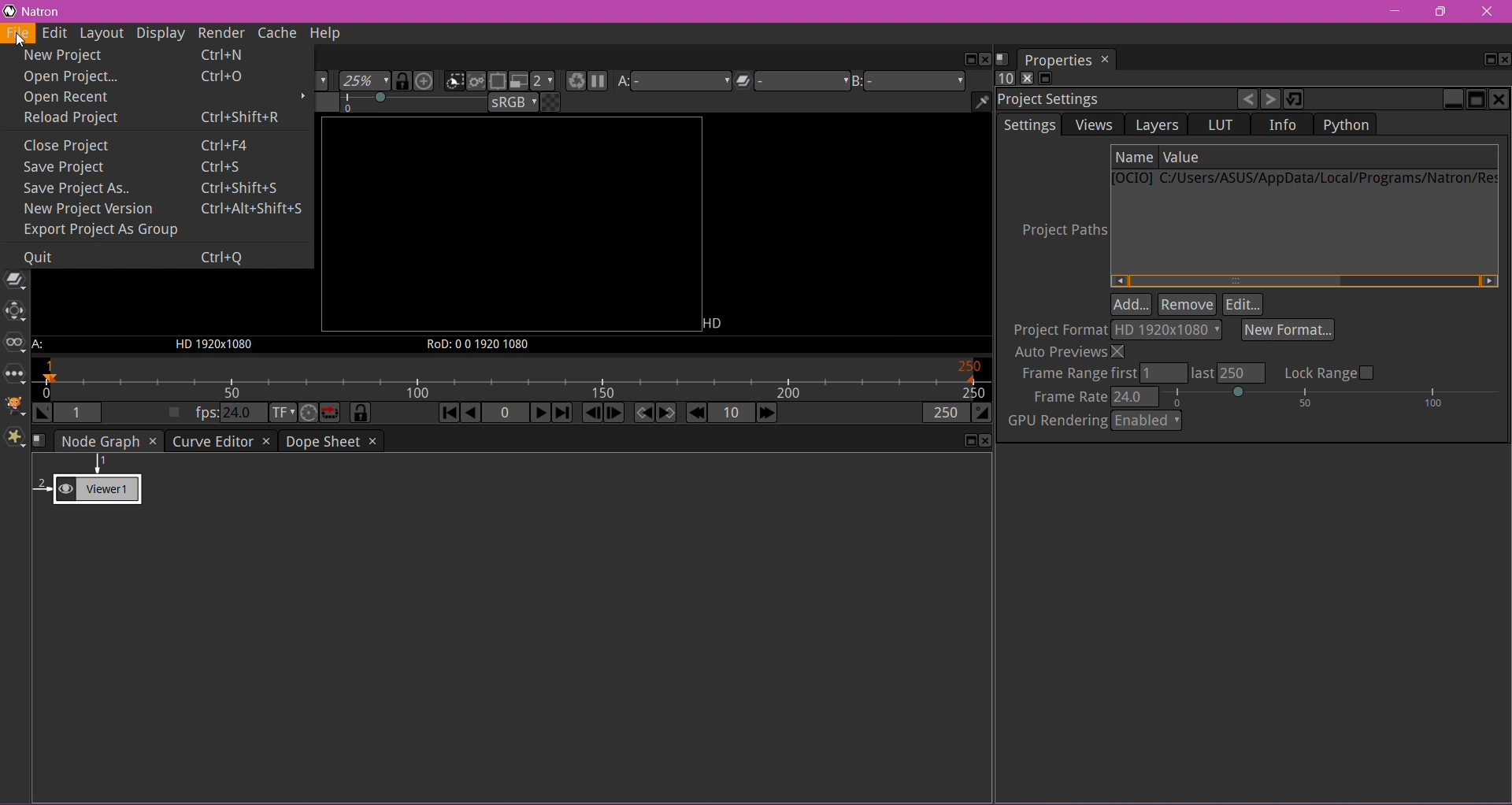 The width and height of the screenshot is (1512, 805). I want to click on Info, so click(1283, 125).